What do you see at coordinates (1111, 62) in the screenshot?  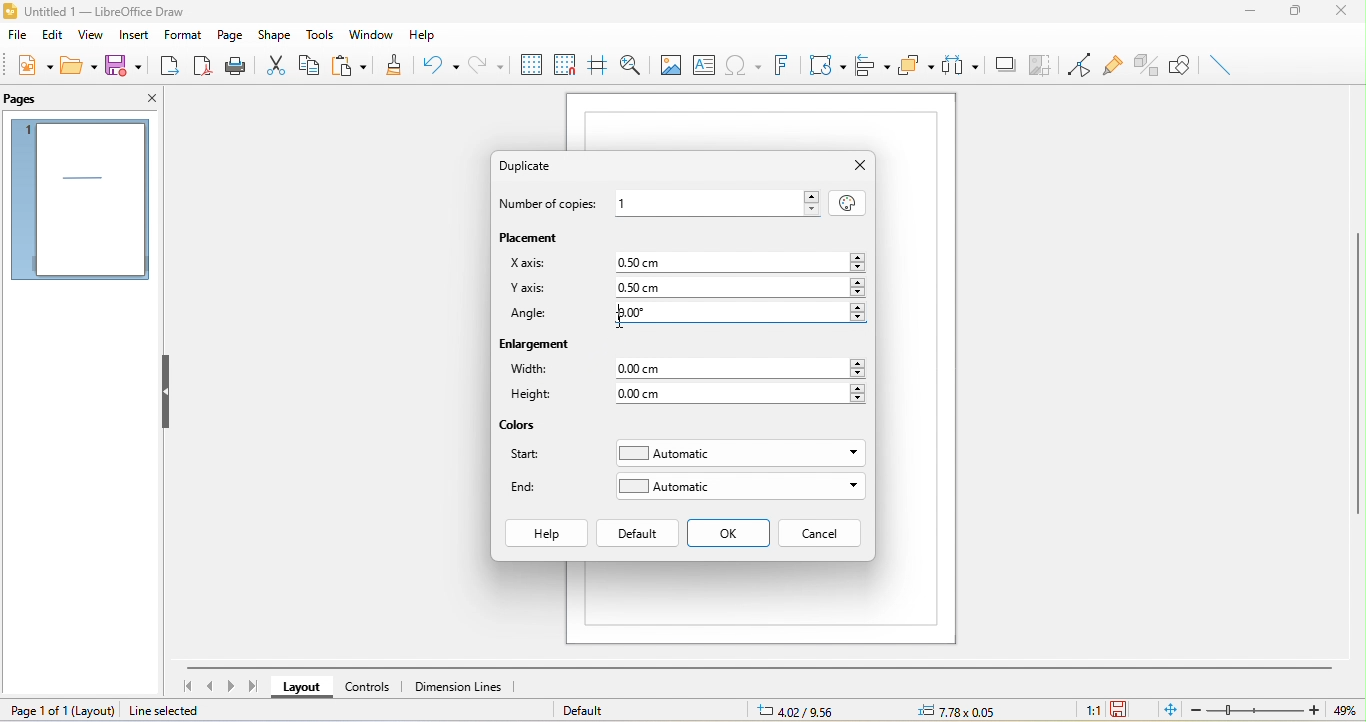 I see `gluepoint function` at bounding box center [1111, 62].